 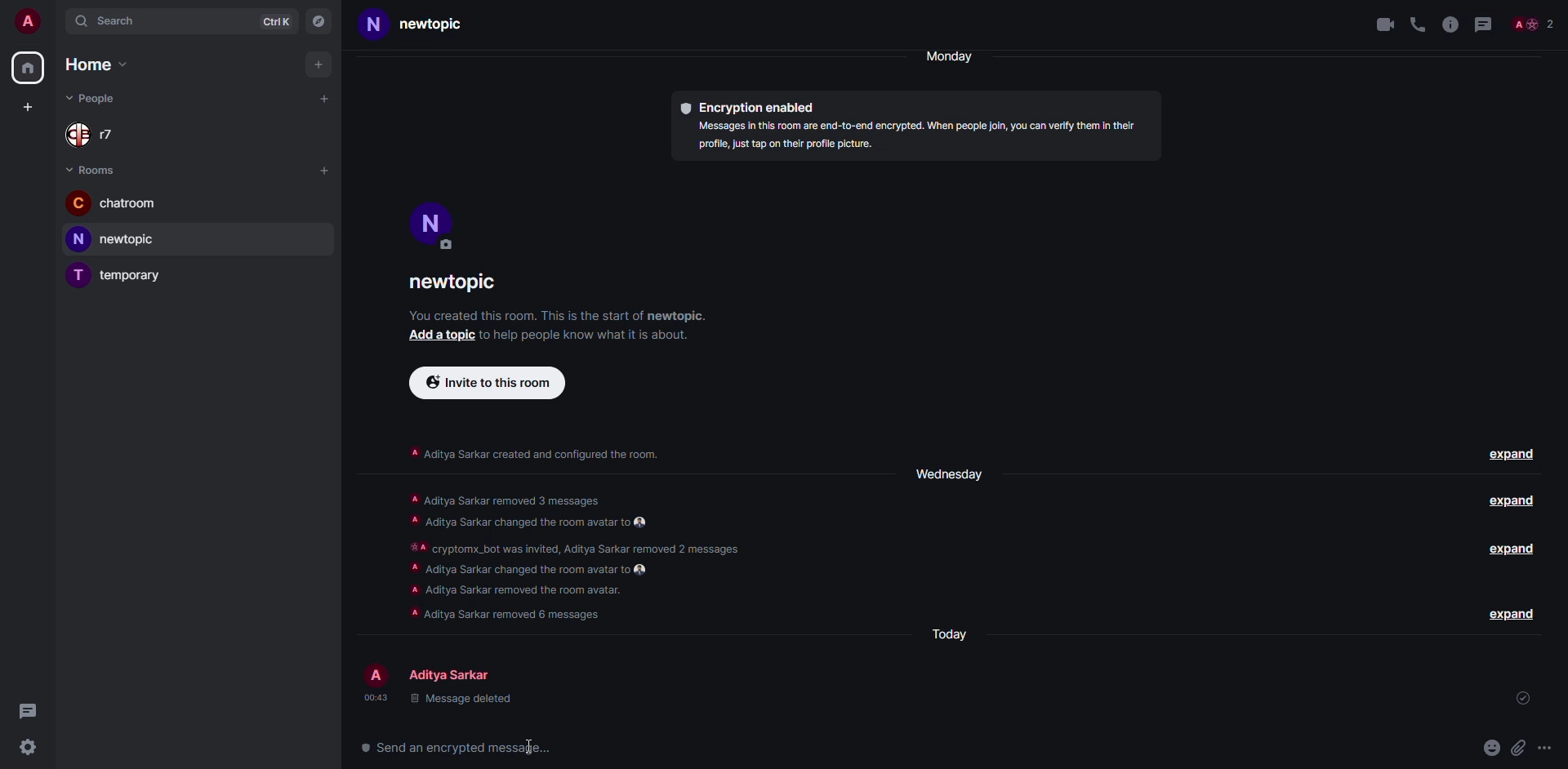 What do you see at coordinates (1545, 748) in the screenshot?
I see `more` at bounding box center [1545, 748].